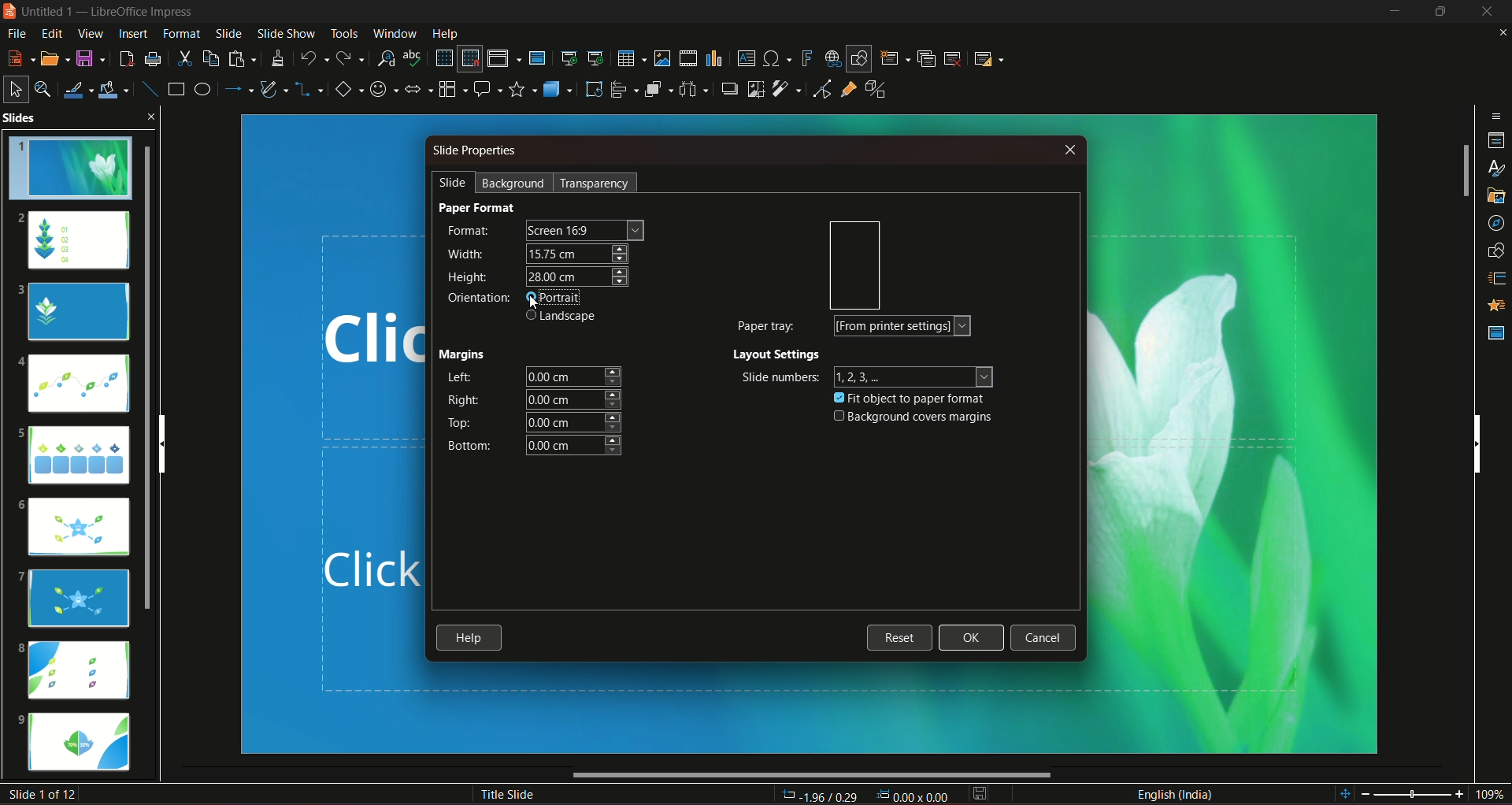 This screenshot has height=805, width=1512. Describe the element at coordinates (576, 447) in the screenshot. I see `bottom margin` at that location.